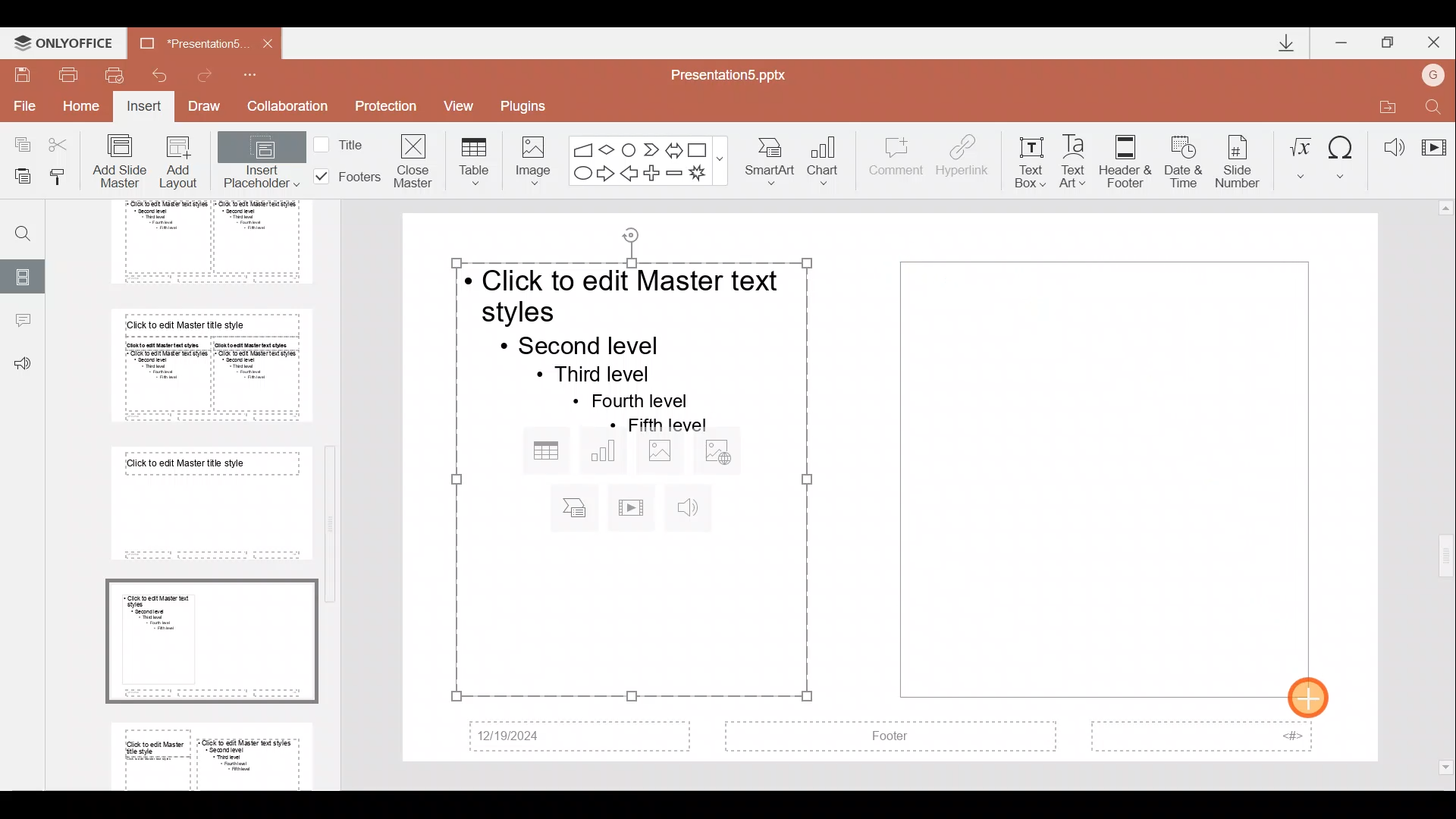 The width and height of the screenshot is (1456, 819). Describe the element at coordinates (211, 75) in the screenshot. I see `Redo` at that location.